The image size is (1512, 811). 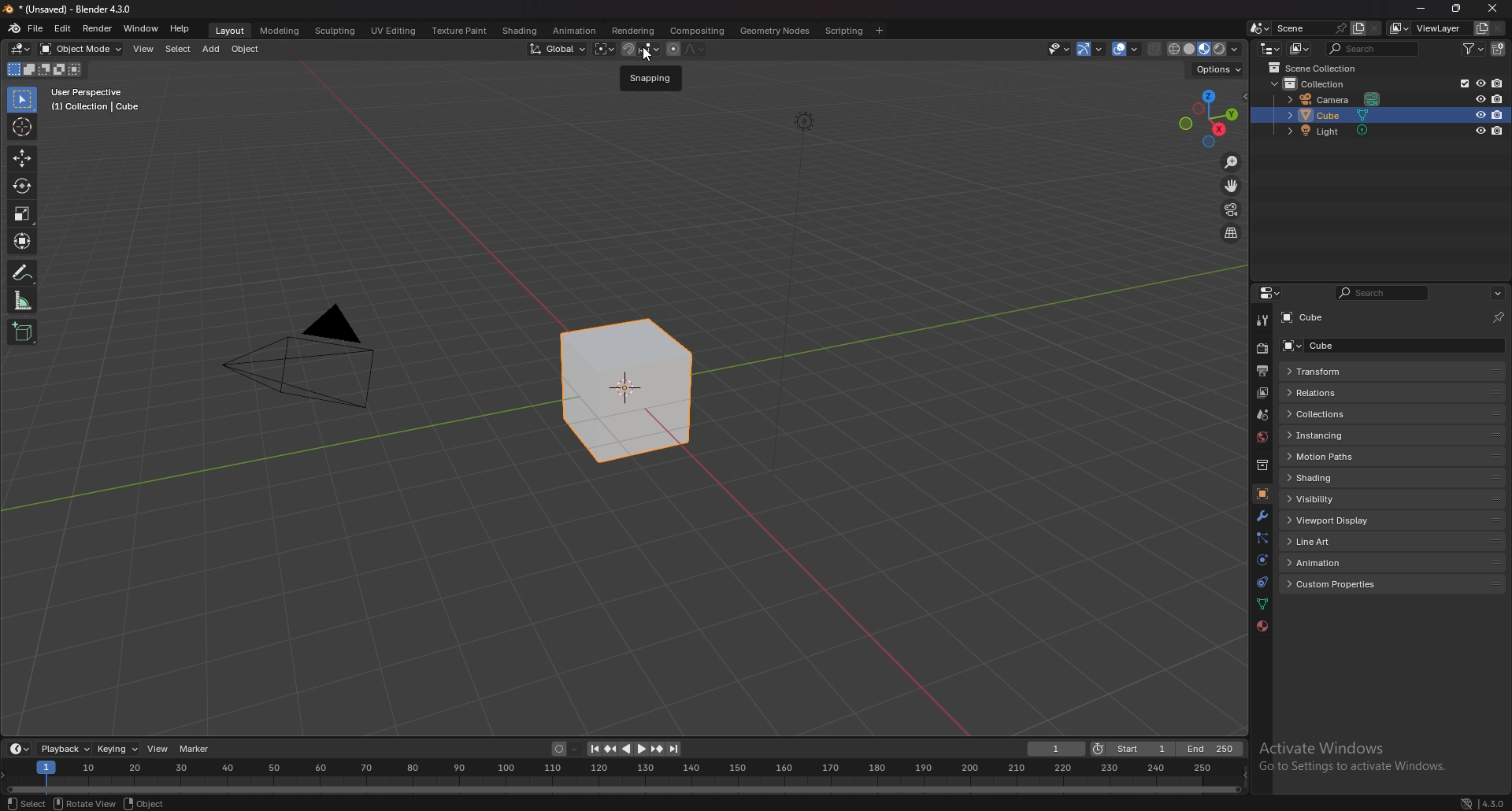 What do you see at coordinates (22, 158) in the screenshot?
I see `move` at bounding box center [22, 158].